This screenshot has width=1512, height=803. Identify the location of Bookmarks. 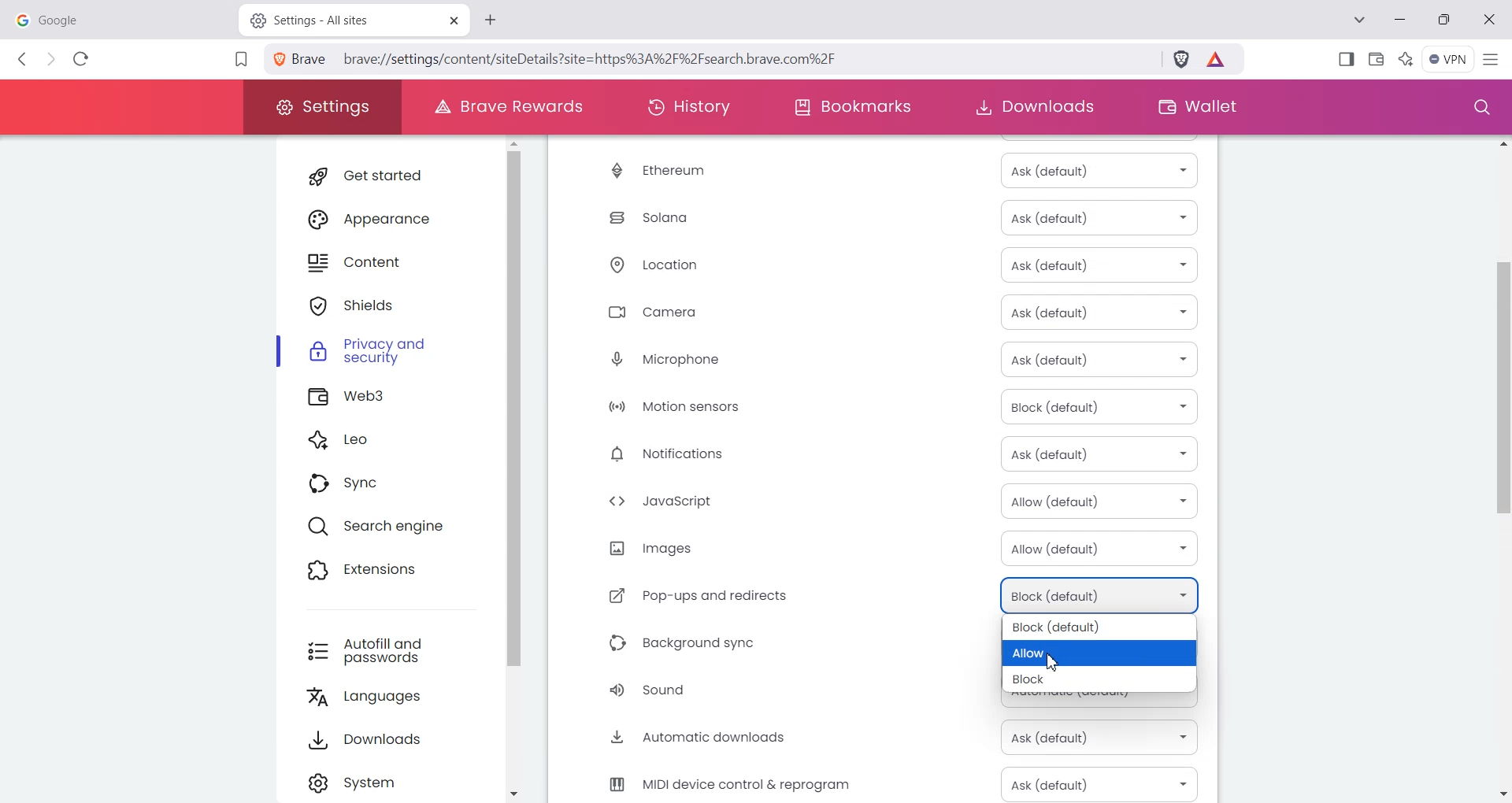
(852, 108).